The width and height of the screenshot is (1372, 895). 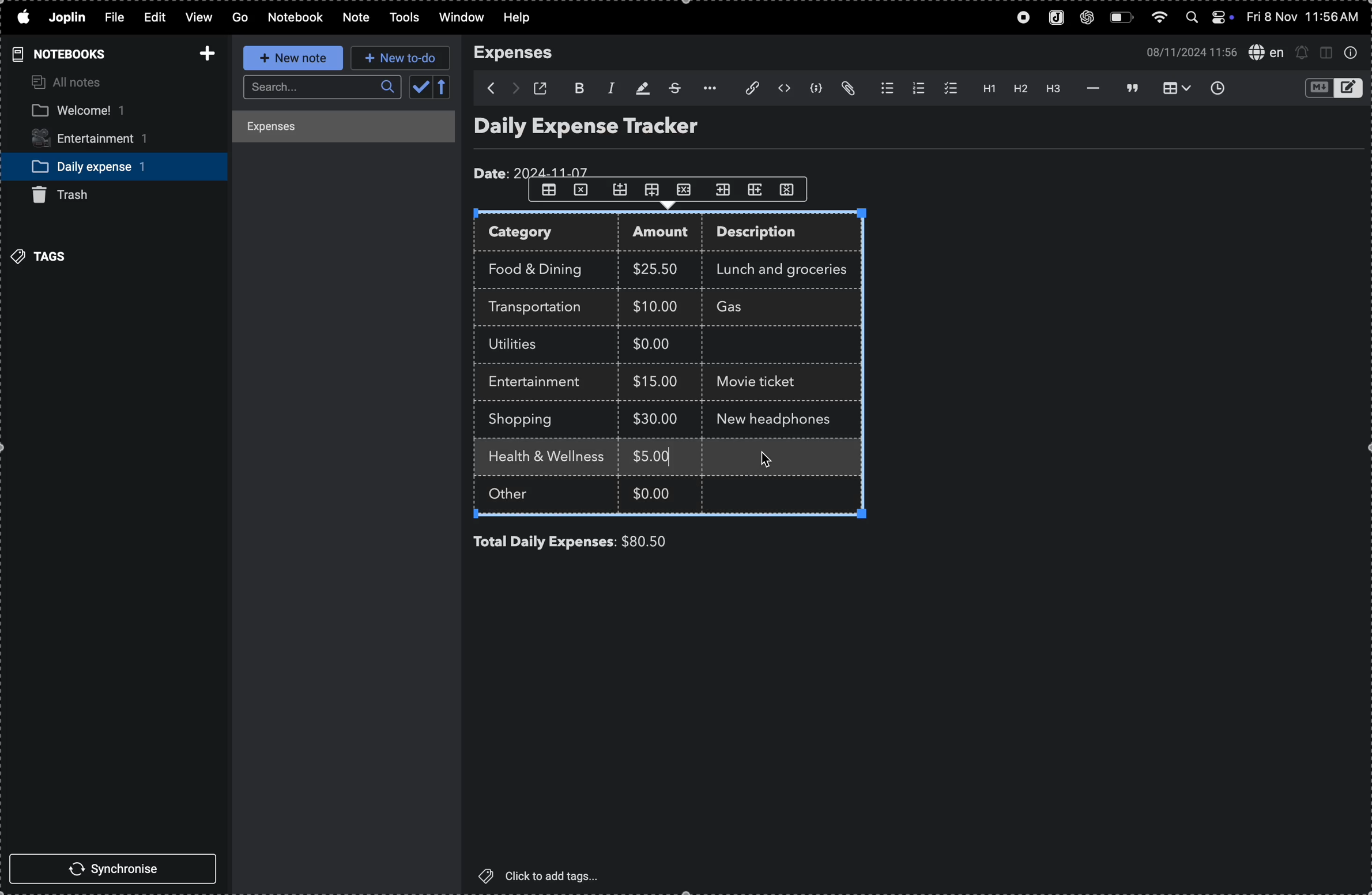 What do you see at coordinates (296, 17) in the screenshot?
I see `notebook` at bounding box center [296, 17].